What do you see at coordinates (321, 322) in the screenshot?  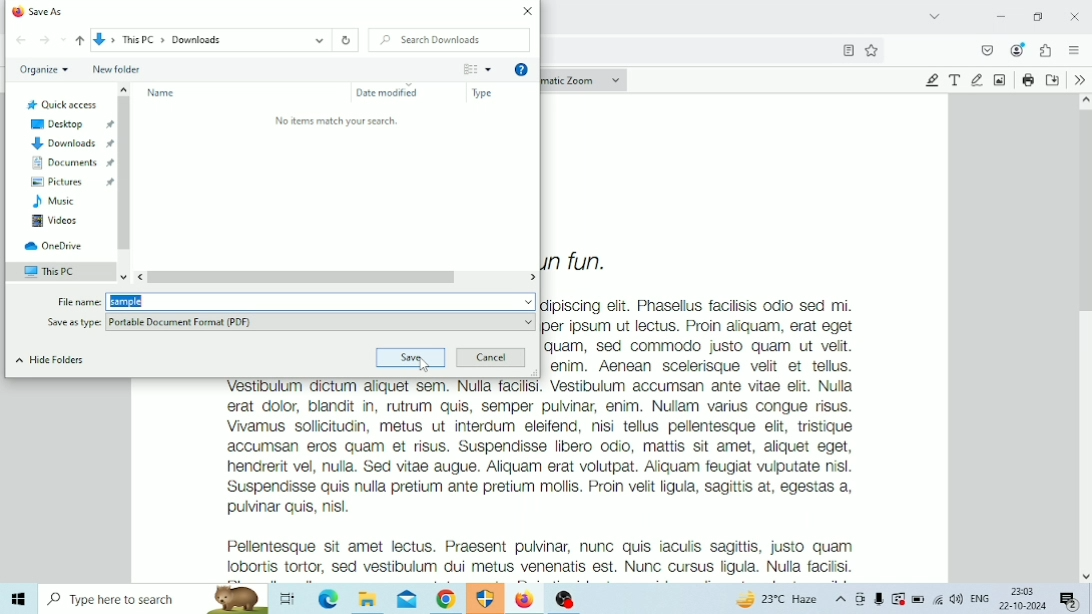 I see `Save as type` at bounding box center [321, 322].